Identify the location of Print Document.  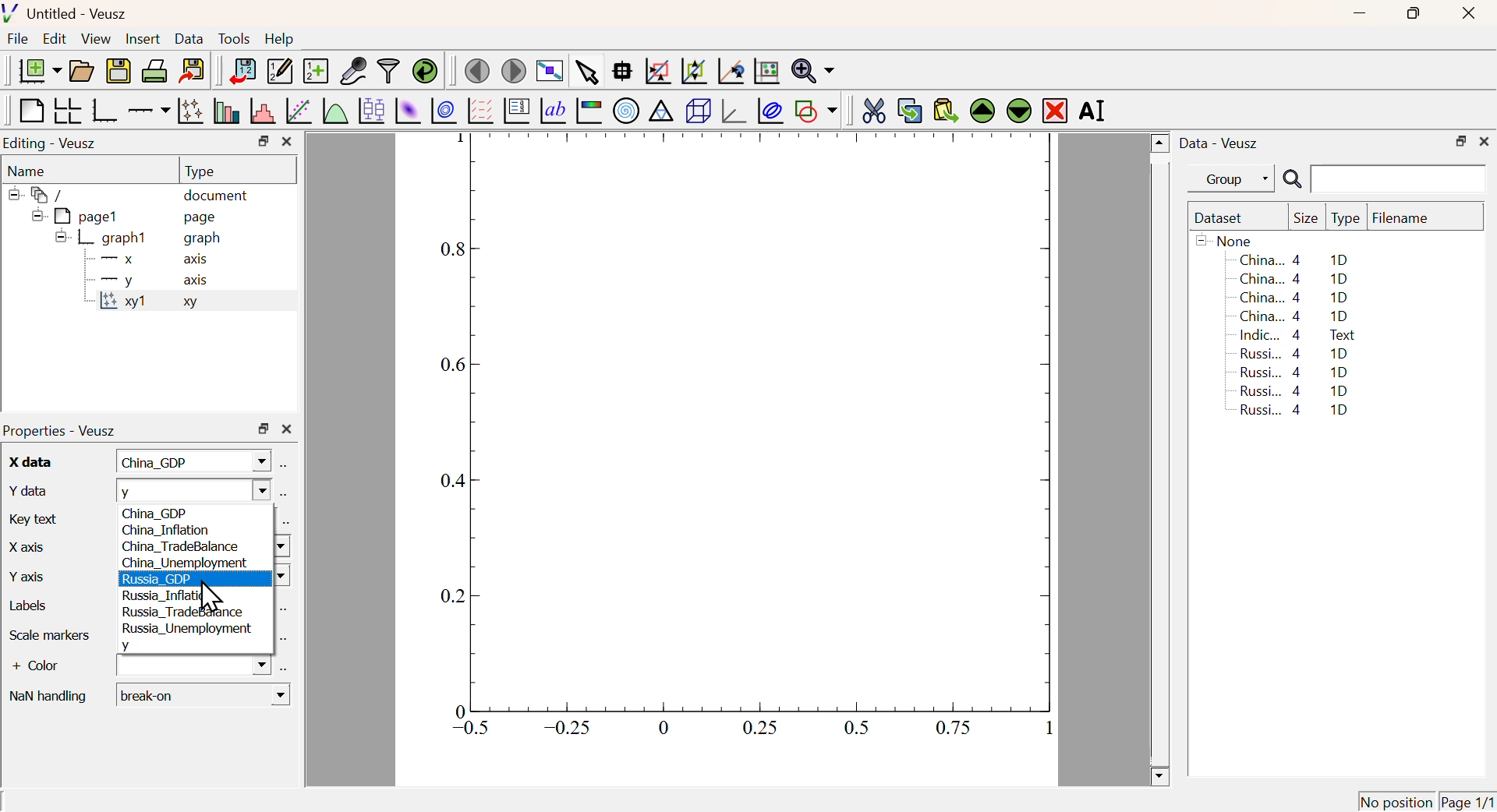
(154, 70).